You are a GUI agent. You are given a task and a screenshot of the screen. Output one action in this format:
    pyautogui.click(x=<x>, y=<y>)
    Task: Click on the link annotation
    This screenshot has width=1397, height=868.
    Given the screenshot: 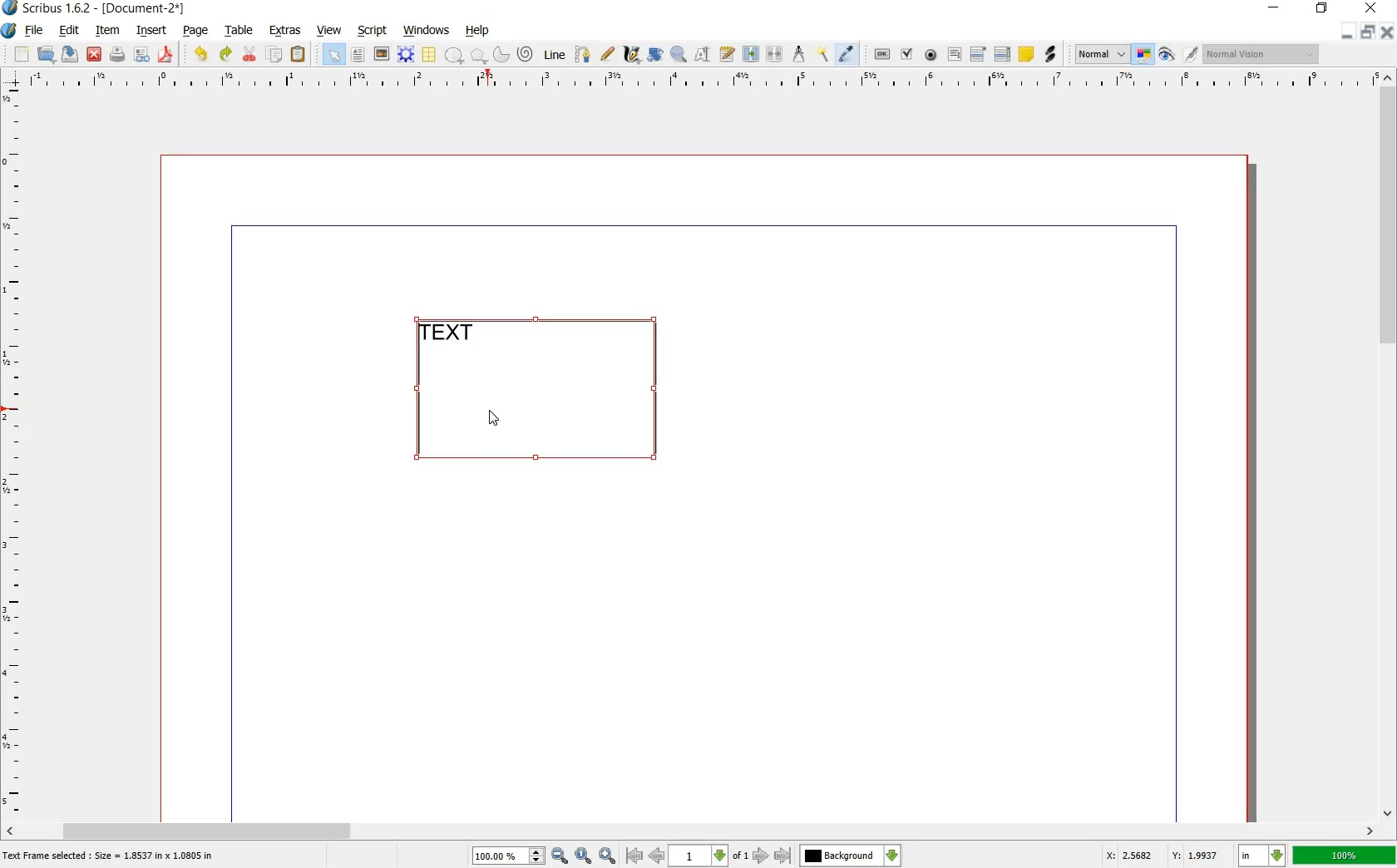 What is the action you would take?
    pyautogui.click(x=1049, y=55)
    